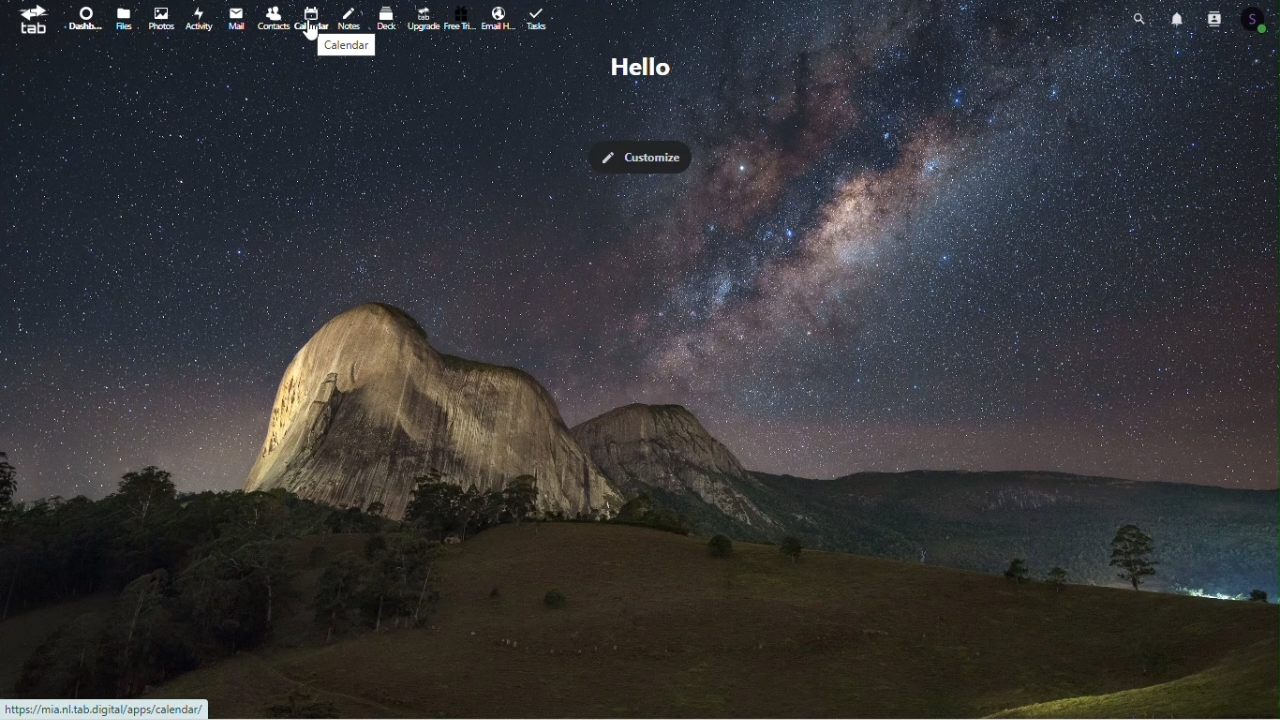  What do you see at coordinates (1256, 21) in the screenshot?
I see `Account icon contacts` at bounding box center [1256, 21].